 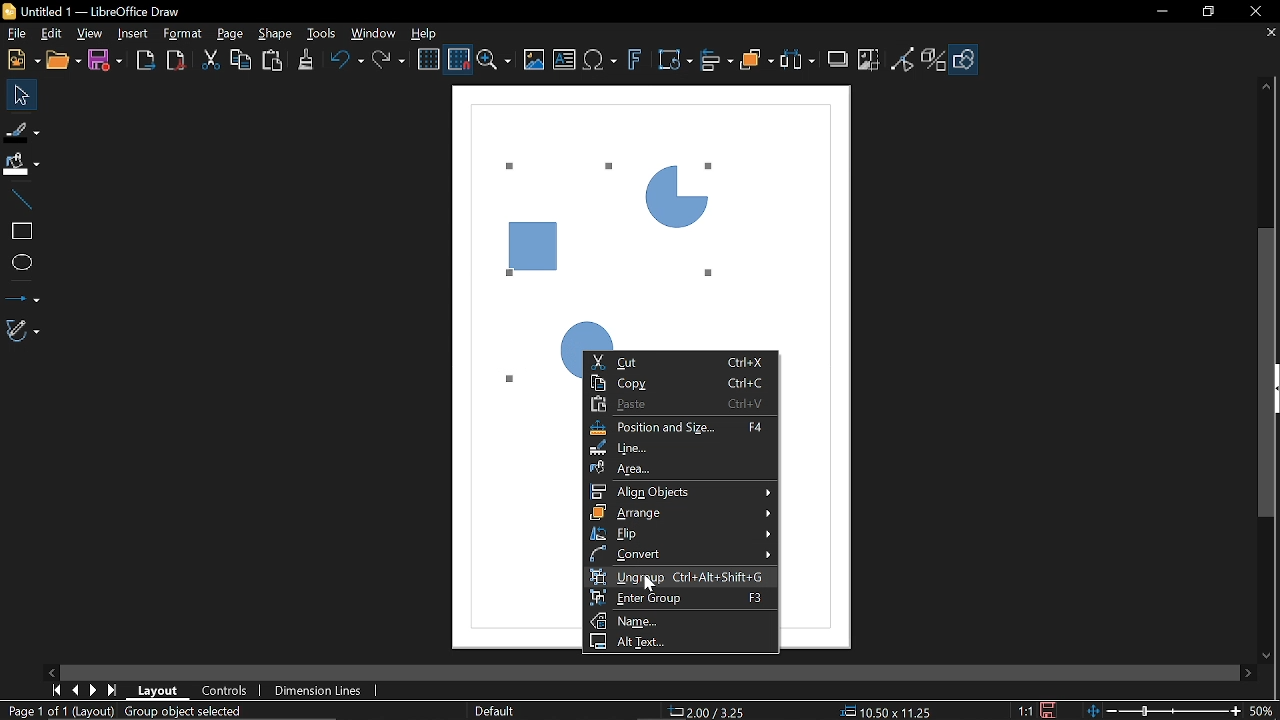 What do you see at coordinates (390, 61) in the screenshot?
I see `Redo` at bounding box center [390, 61].